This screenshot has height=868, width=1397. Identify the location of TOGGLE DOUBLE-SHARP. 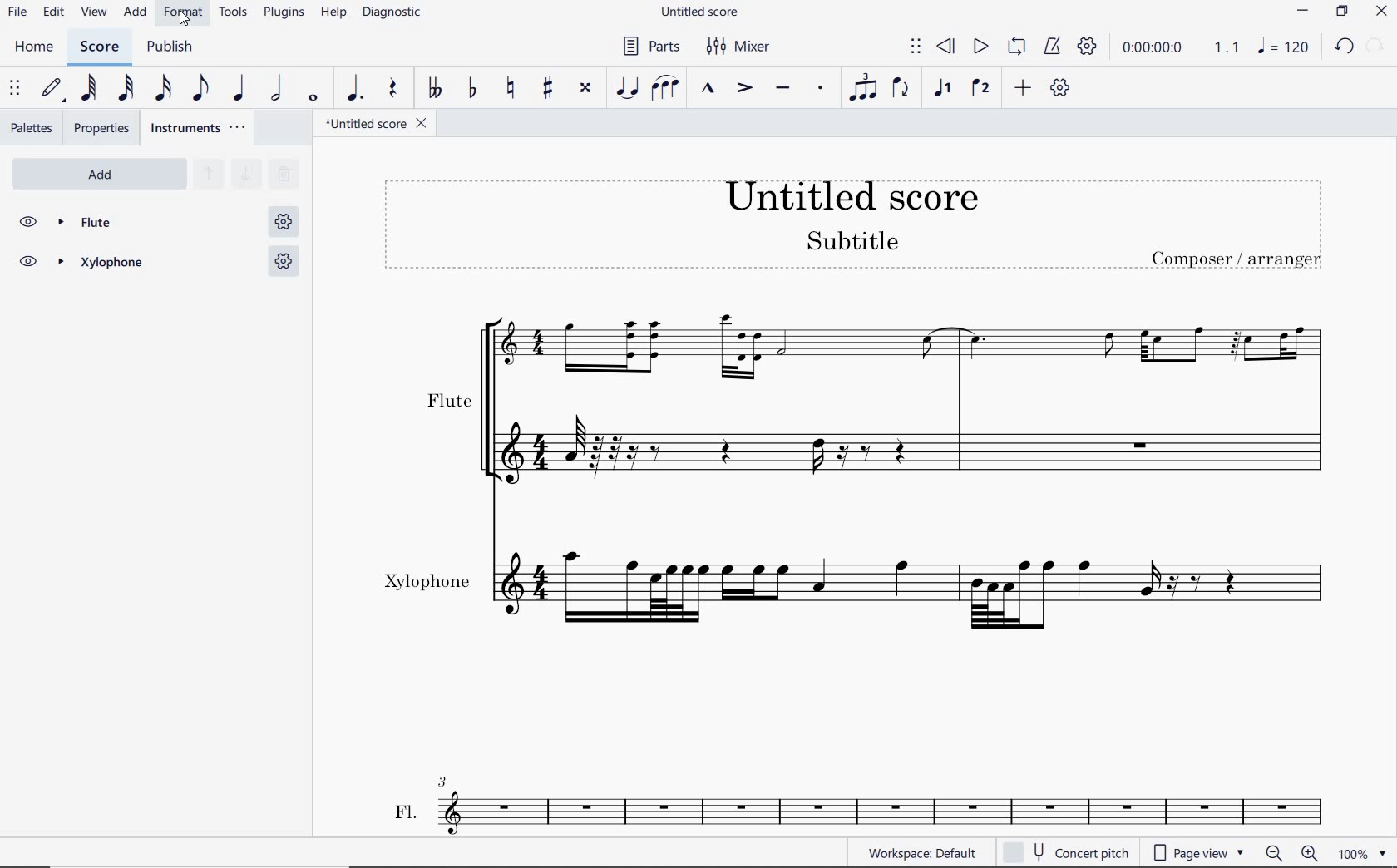
(586, 89).